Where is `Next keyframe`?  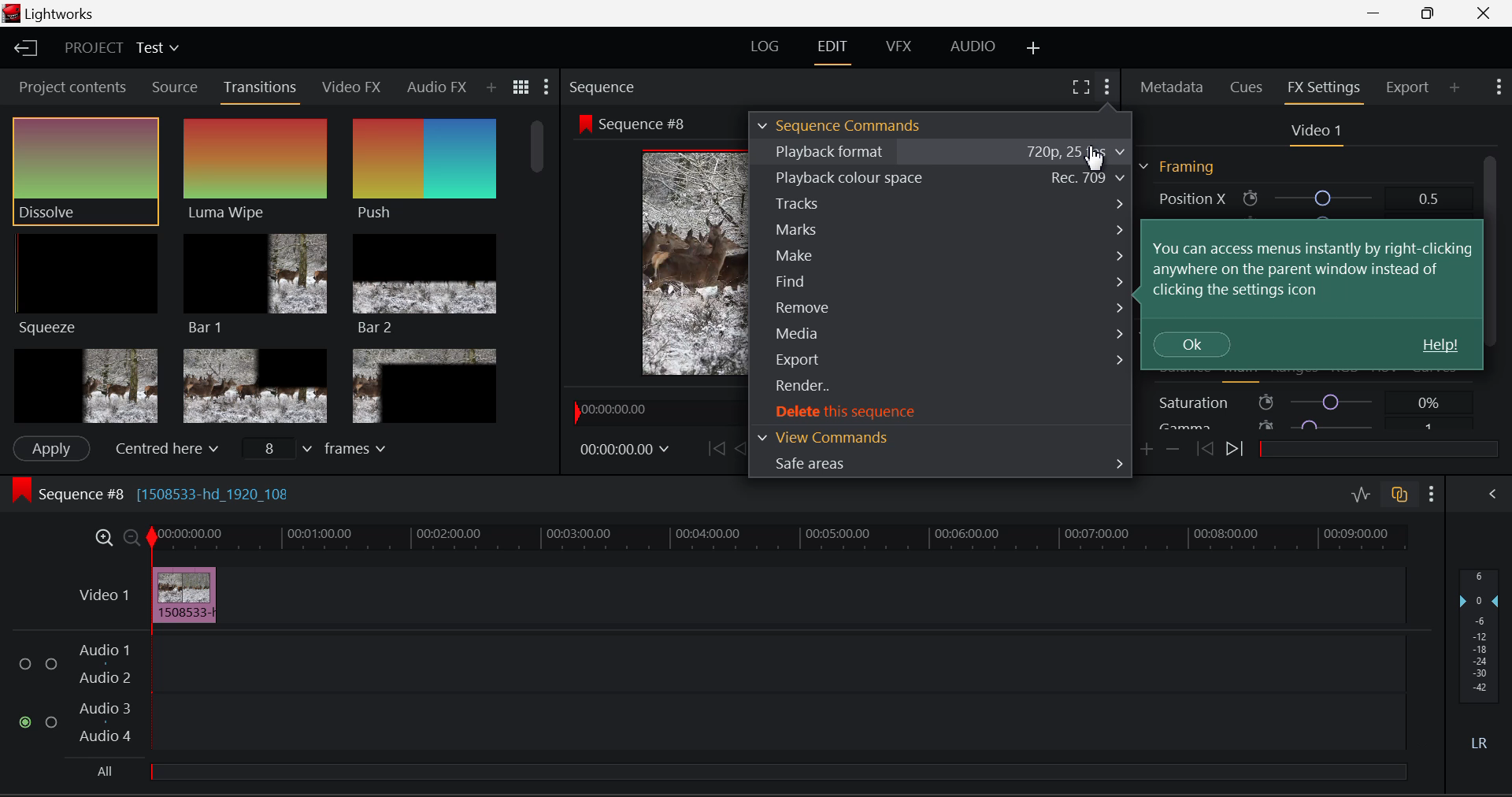 Next keyframe is located at coordinates (1240, 452).